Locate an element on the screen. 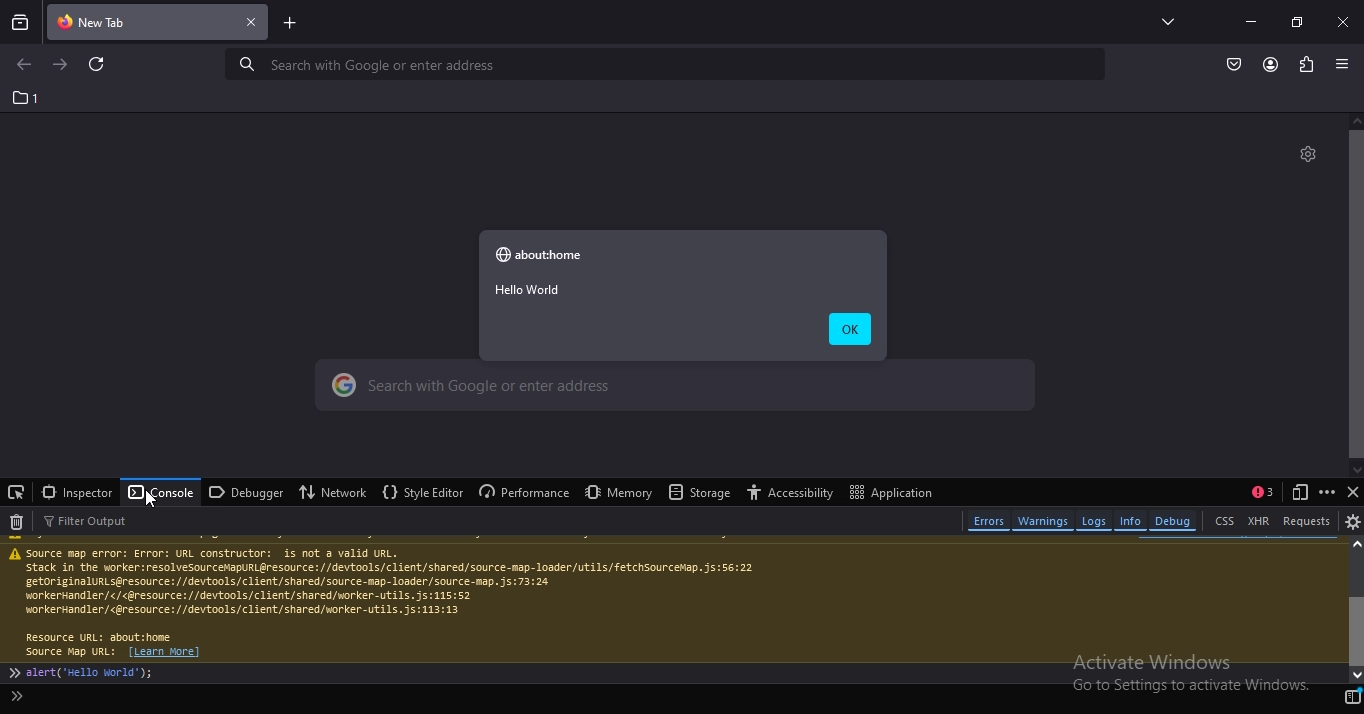 This screenshot has height=714, width=1364. extension is located at coordinates (1307, 65).